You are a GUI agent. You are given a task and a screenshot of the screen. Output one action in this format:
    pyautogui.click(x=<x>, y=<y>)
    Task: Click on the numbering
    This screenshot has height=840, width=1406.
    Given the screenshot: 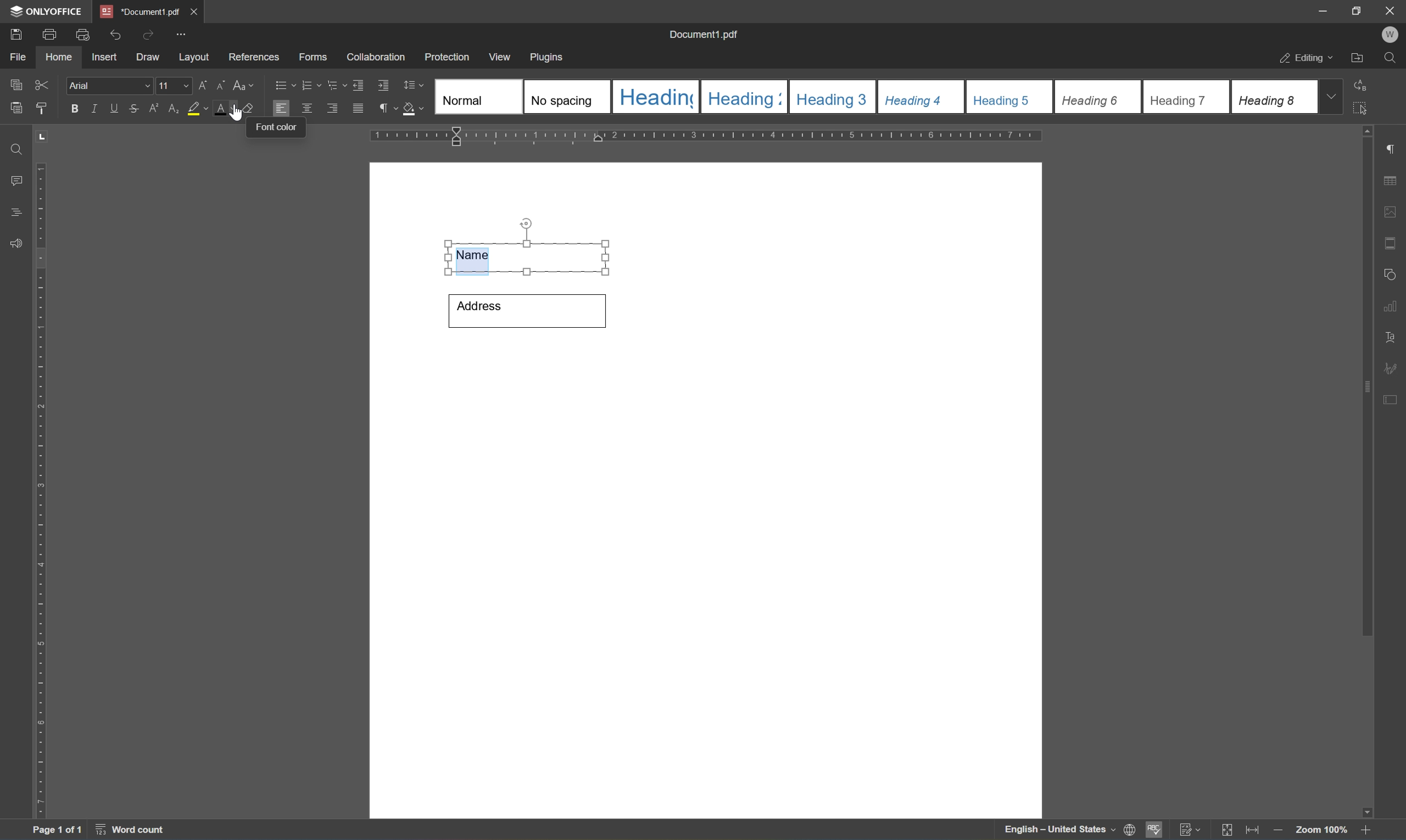 What is the action you would take?
    pyautogui.click(x=311, y=85)
    